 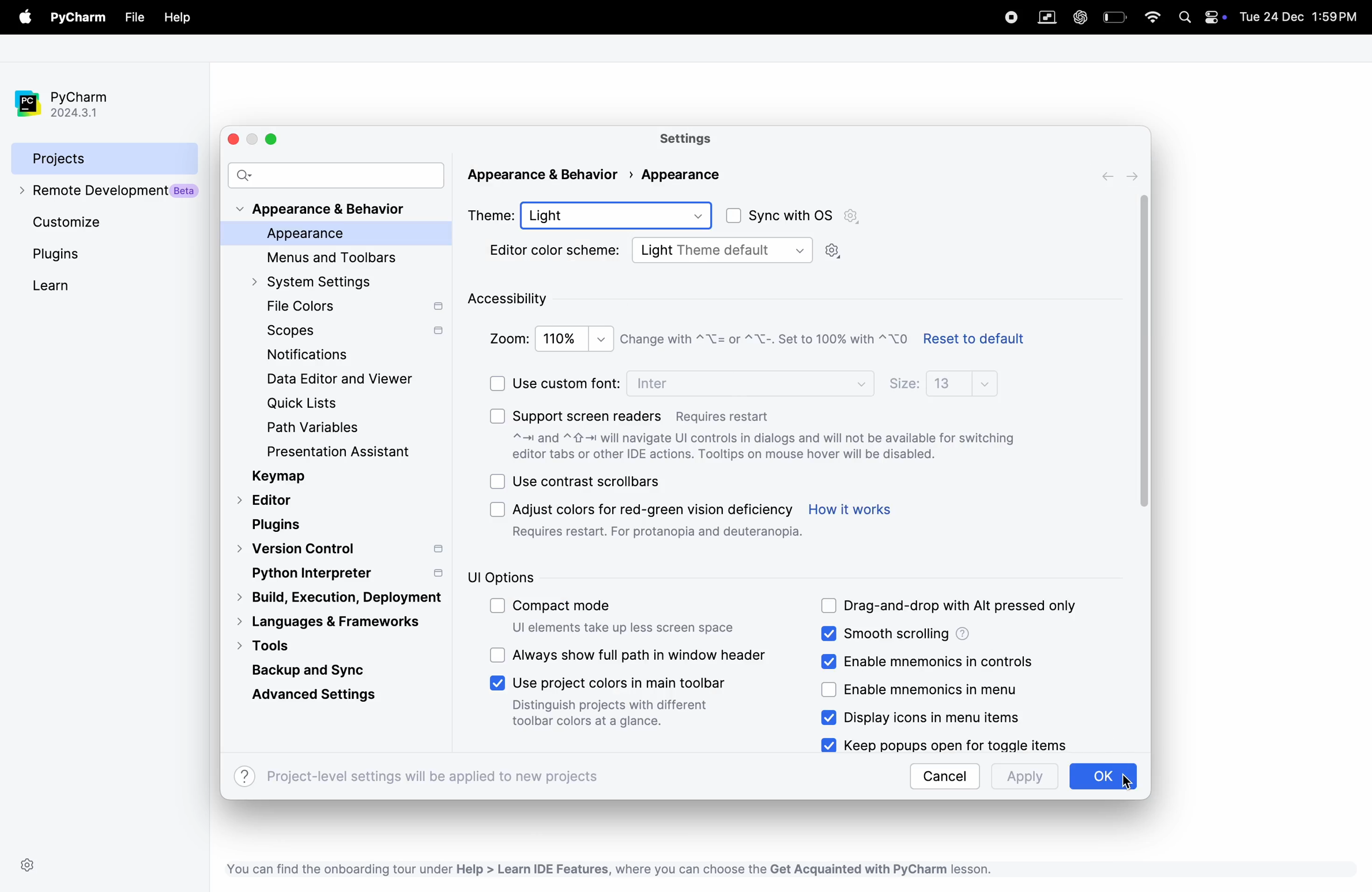 I want to click on tools, so click(x=278, y=647).